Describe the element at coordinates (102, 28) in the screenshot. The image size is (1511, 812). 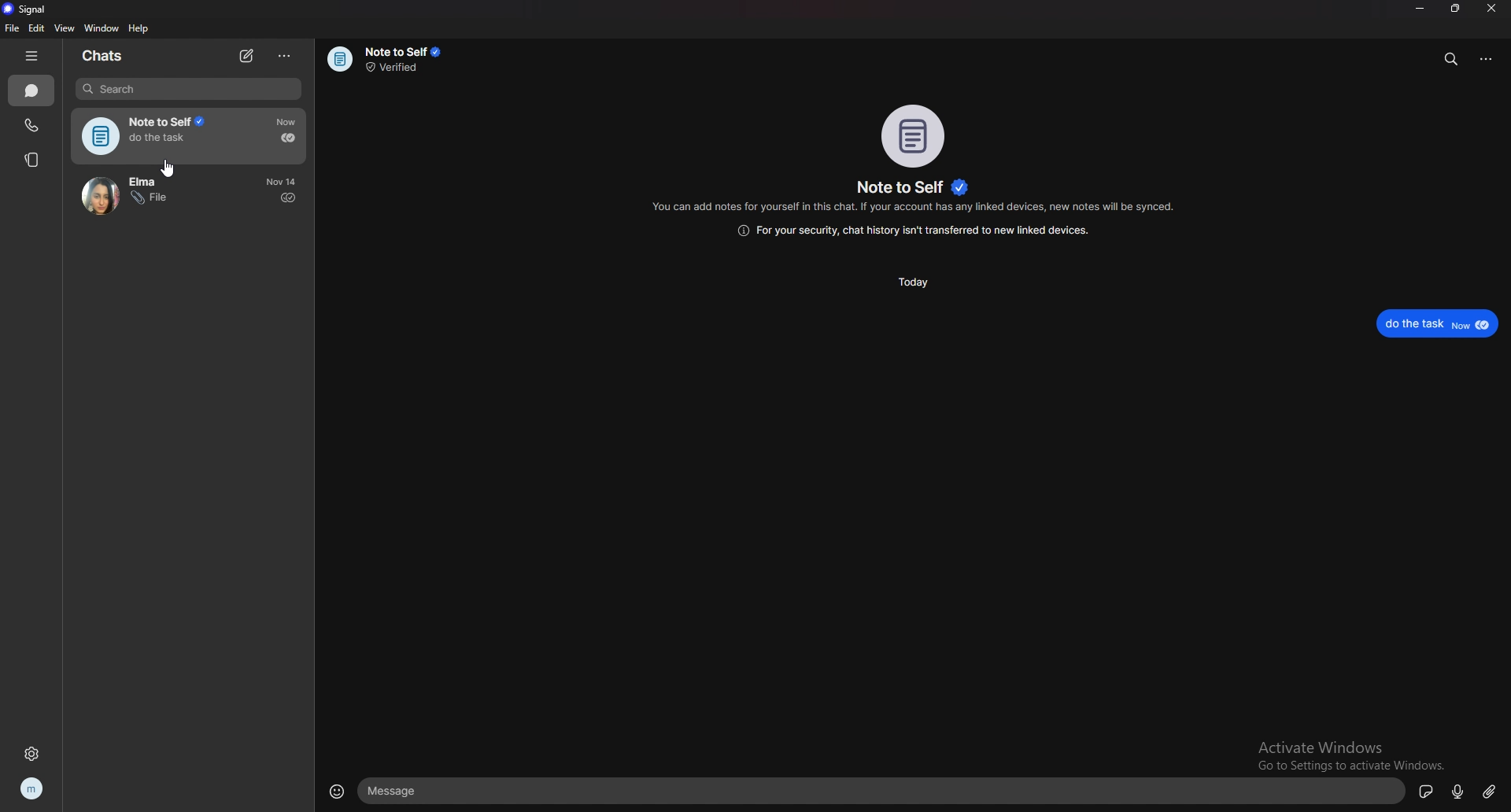
I see `window` at that location.